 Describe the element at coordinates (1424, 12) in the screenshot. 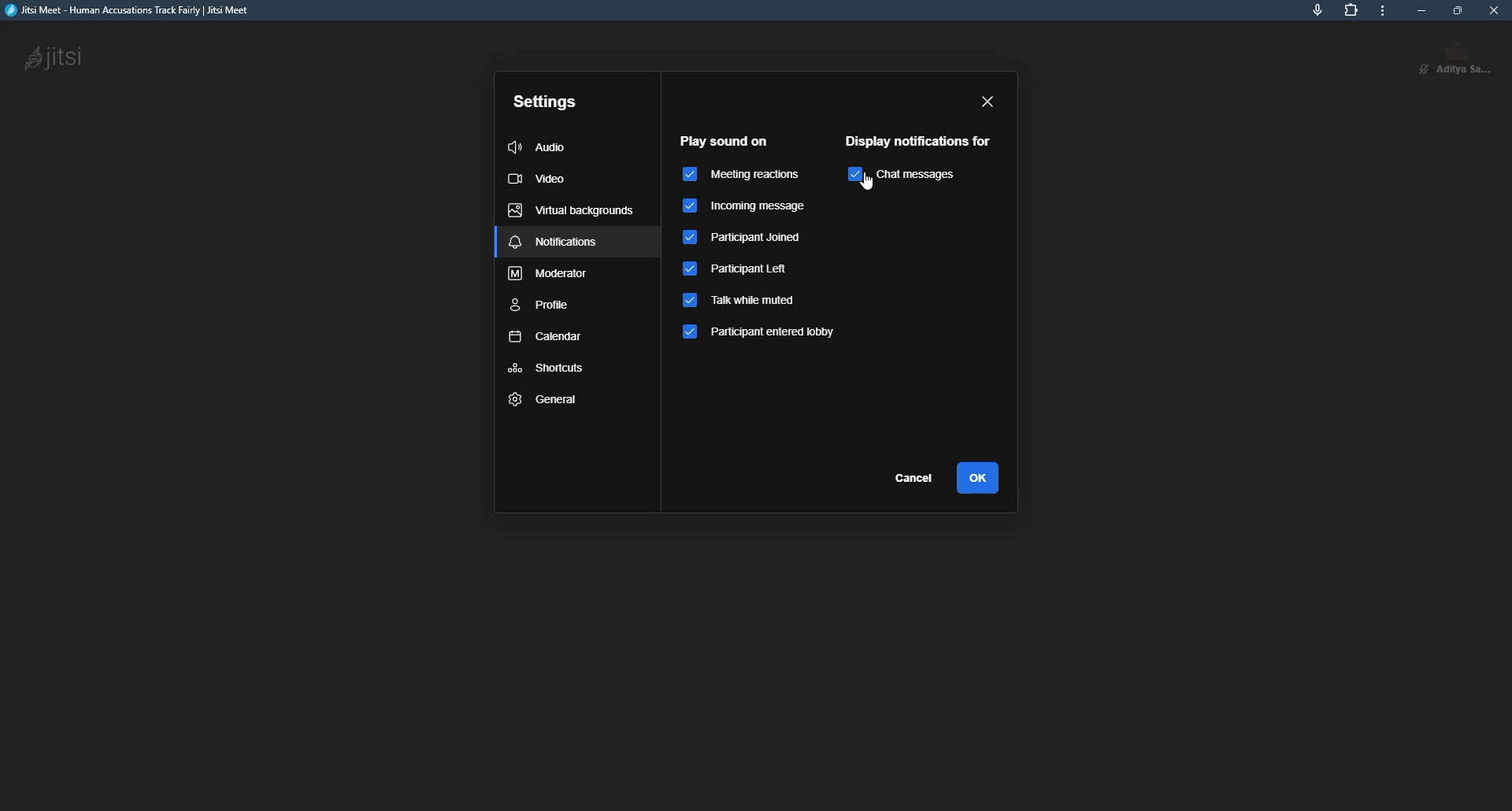

I see `minimize` at that location.